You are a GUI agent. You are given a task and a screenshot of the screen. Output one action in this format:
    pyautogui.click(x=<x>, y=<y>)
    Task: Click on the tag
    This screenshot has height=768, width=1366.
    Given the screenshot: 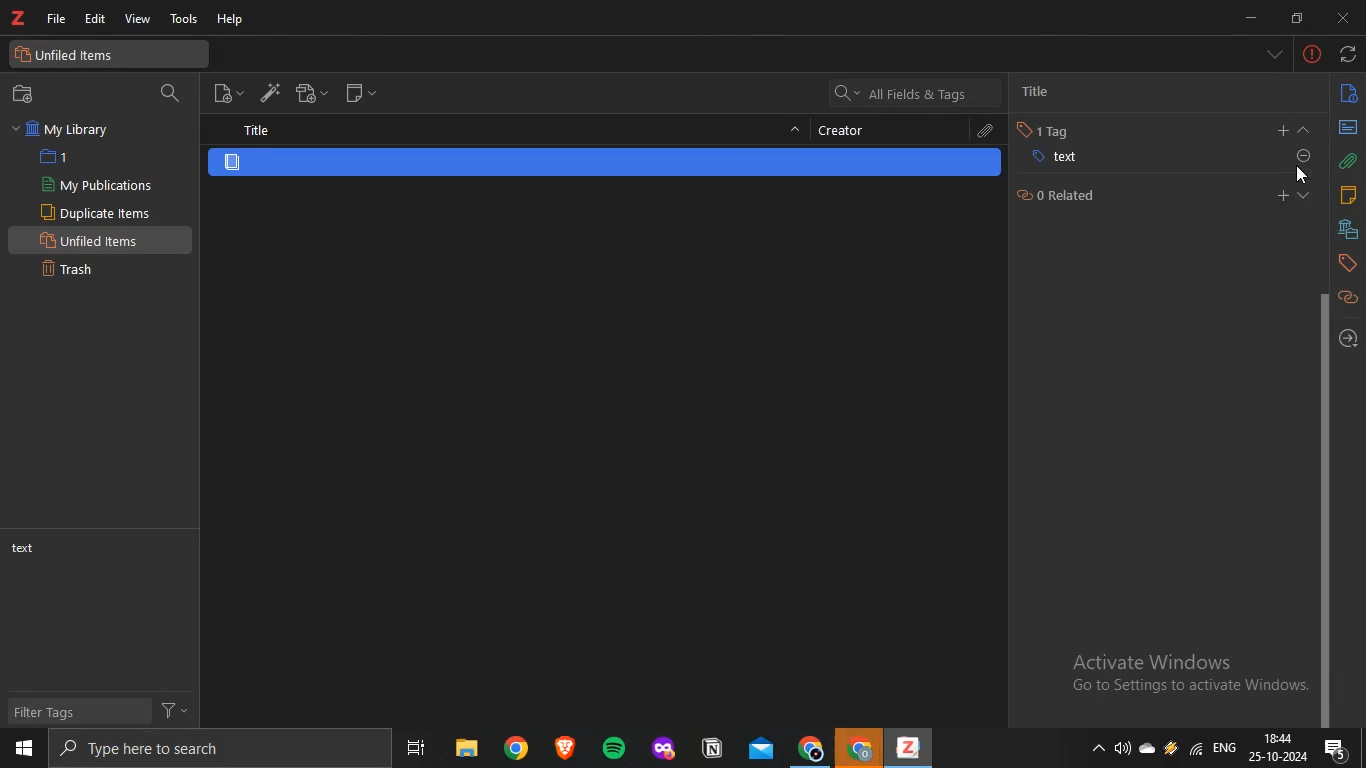 What is the action you would take?
    pyautogui.click(x=1047, y=131)
    